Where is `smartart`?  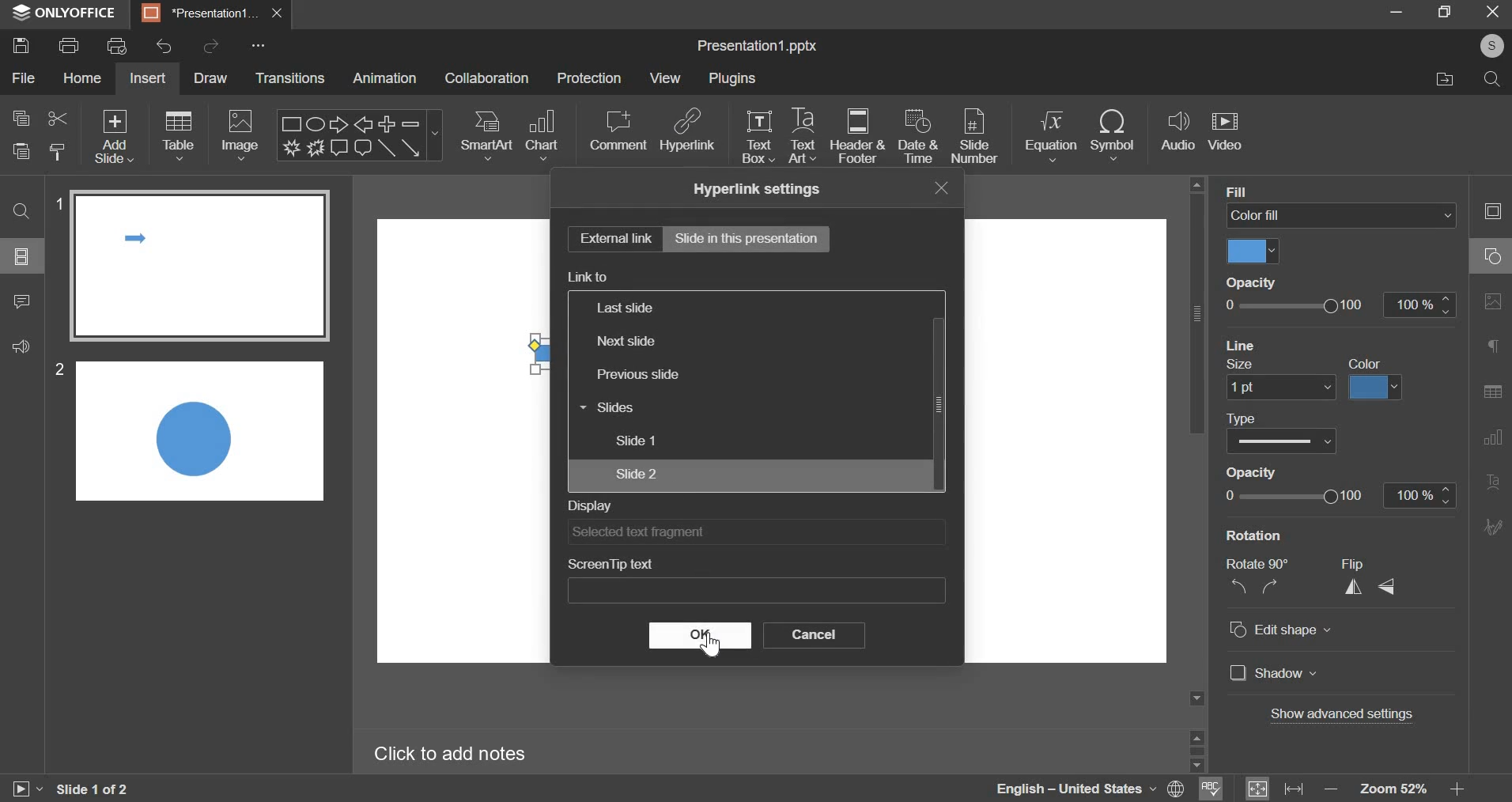
smartart is located at coordinates (488, 136).